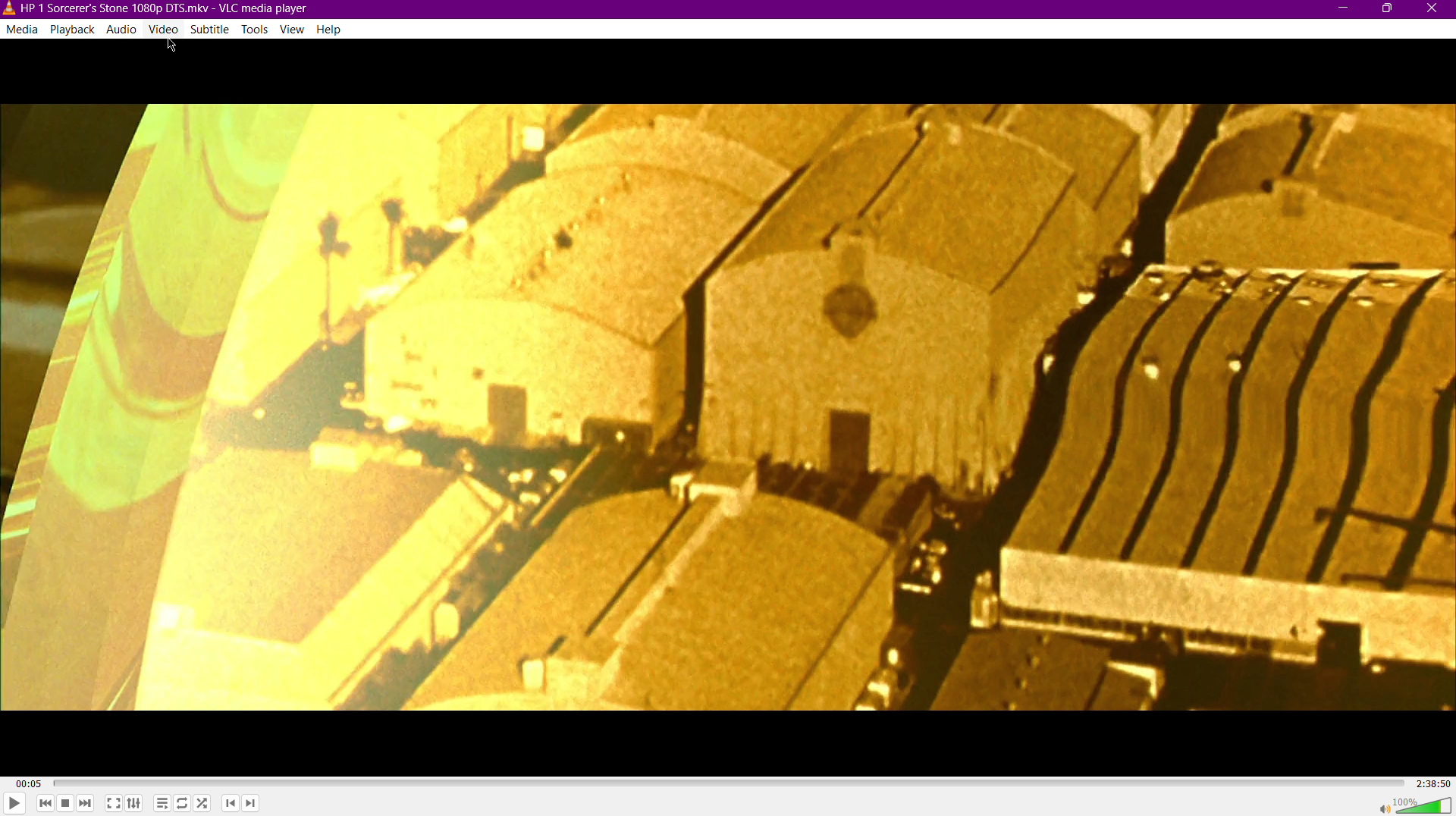 This screenshot has height=816, width=1456. Describe the element at coordinates (231, 804) in the screenshot. I see `Previous Chapter` at that location.